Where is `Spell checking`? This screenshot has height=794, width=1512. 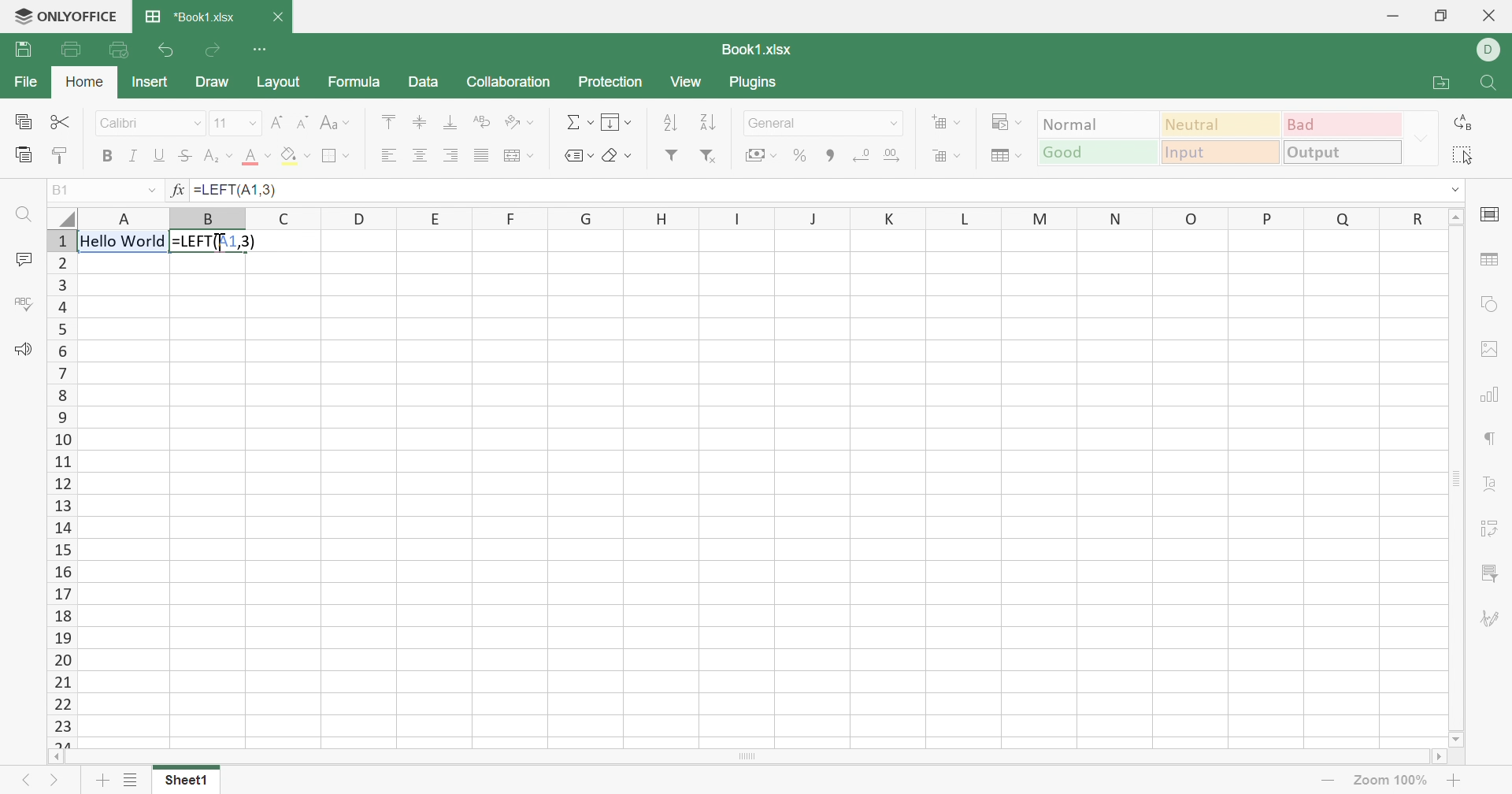
Spell checking is located at coordinates (26, 304).